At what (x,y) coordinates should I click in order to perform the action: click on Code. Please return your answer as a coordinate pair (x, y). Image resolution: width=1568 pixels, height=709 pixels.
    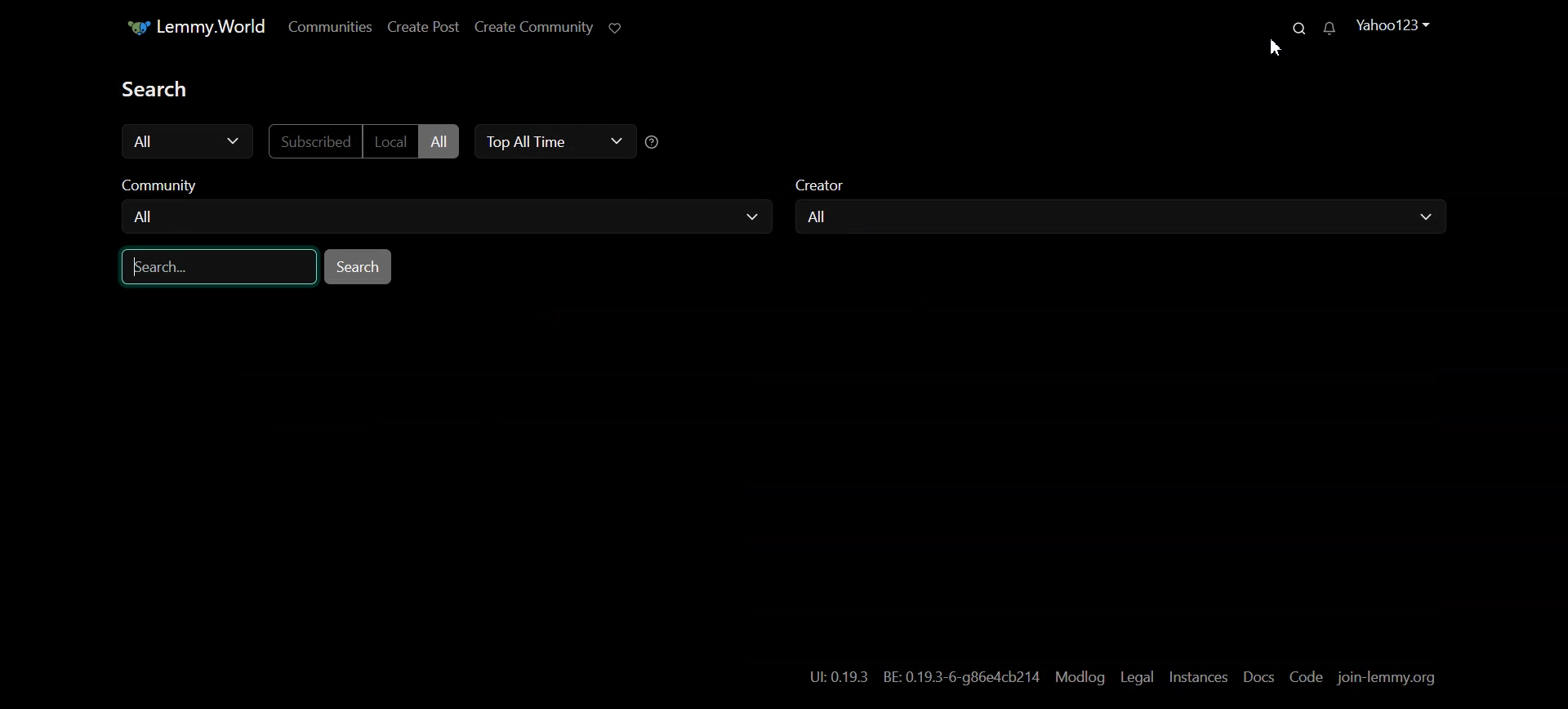
    Looking at the image, I should click on (1305, 675).